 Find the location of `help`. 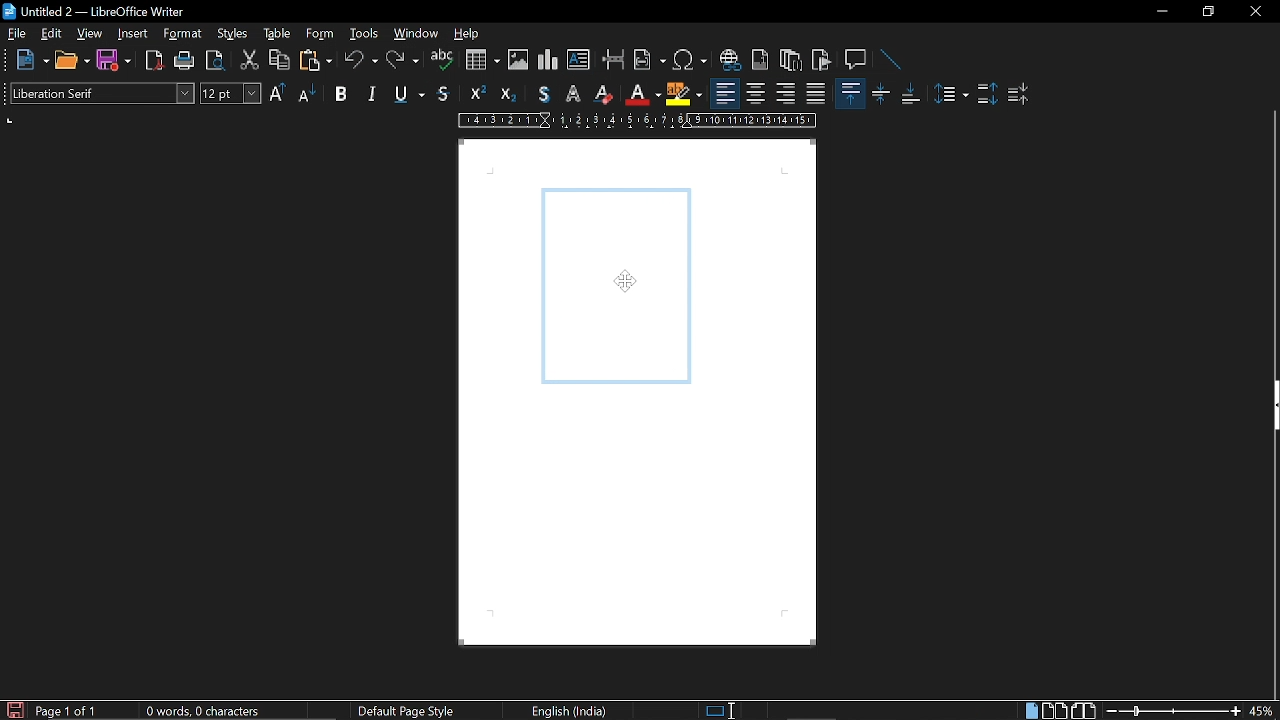

help is located at coordinates (469, 37).